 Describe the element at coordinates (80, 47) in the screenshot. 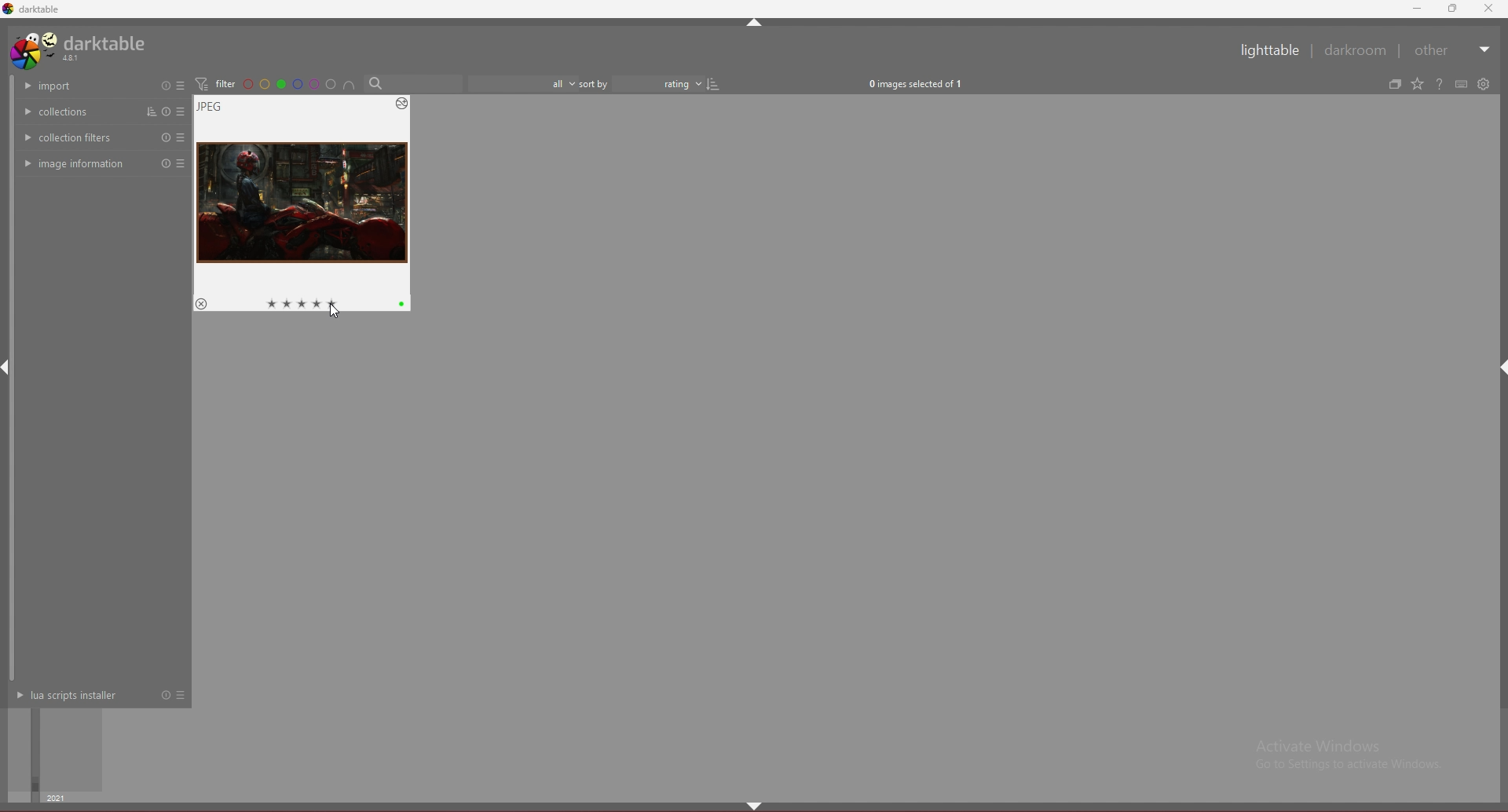

I see `darktable 4.8.1` at that location.